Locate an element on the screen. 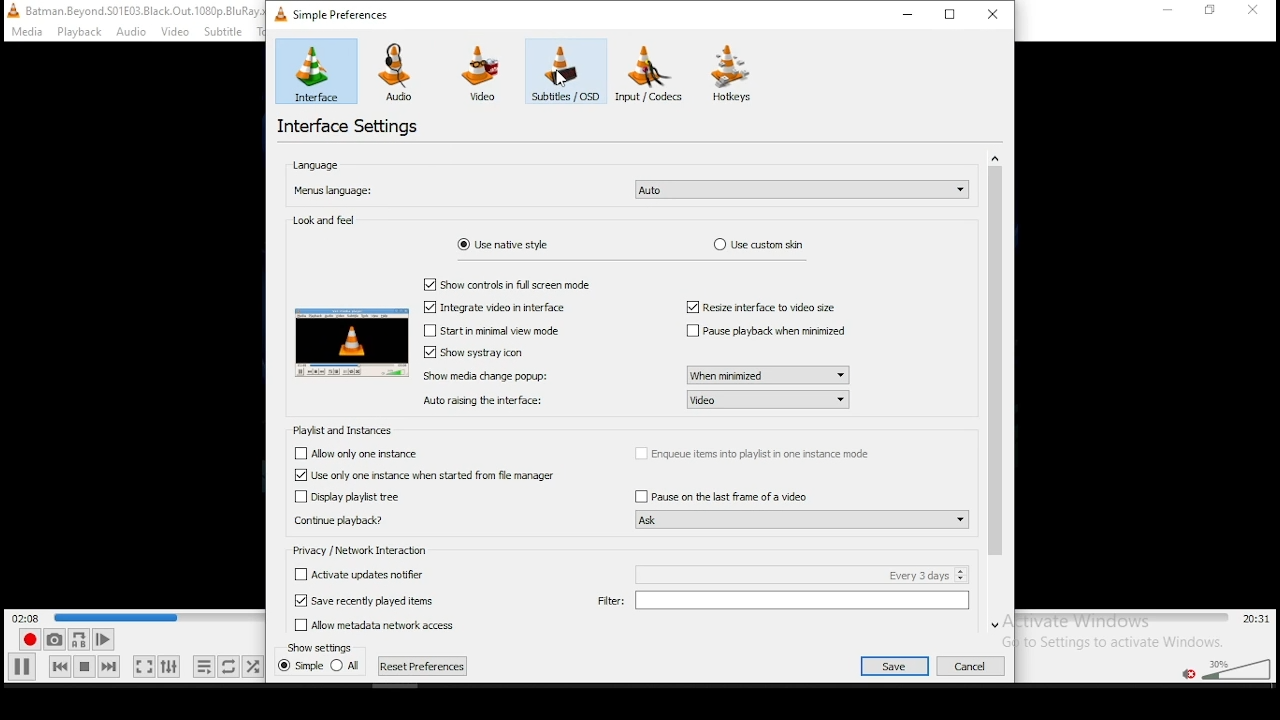 The height and width of the screenshot is (720, 1280). language is located at coordinates (316, 166).